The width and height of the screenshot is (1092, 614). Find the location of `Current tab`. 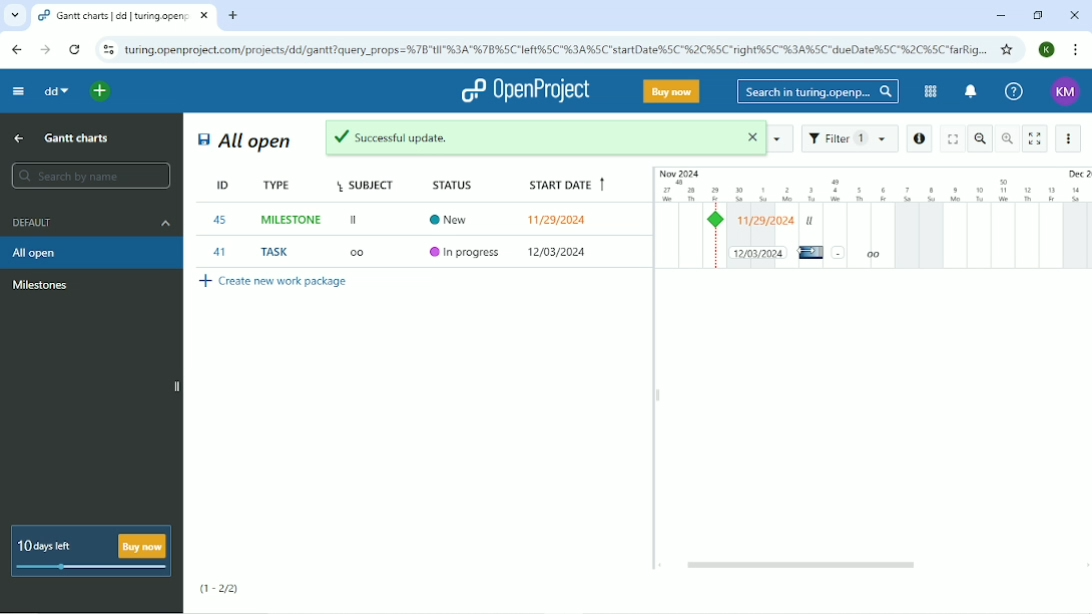

Current tab is located at coordinates (124, 16).